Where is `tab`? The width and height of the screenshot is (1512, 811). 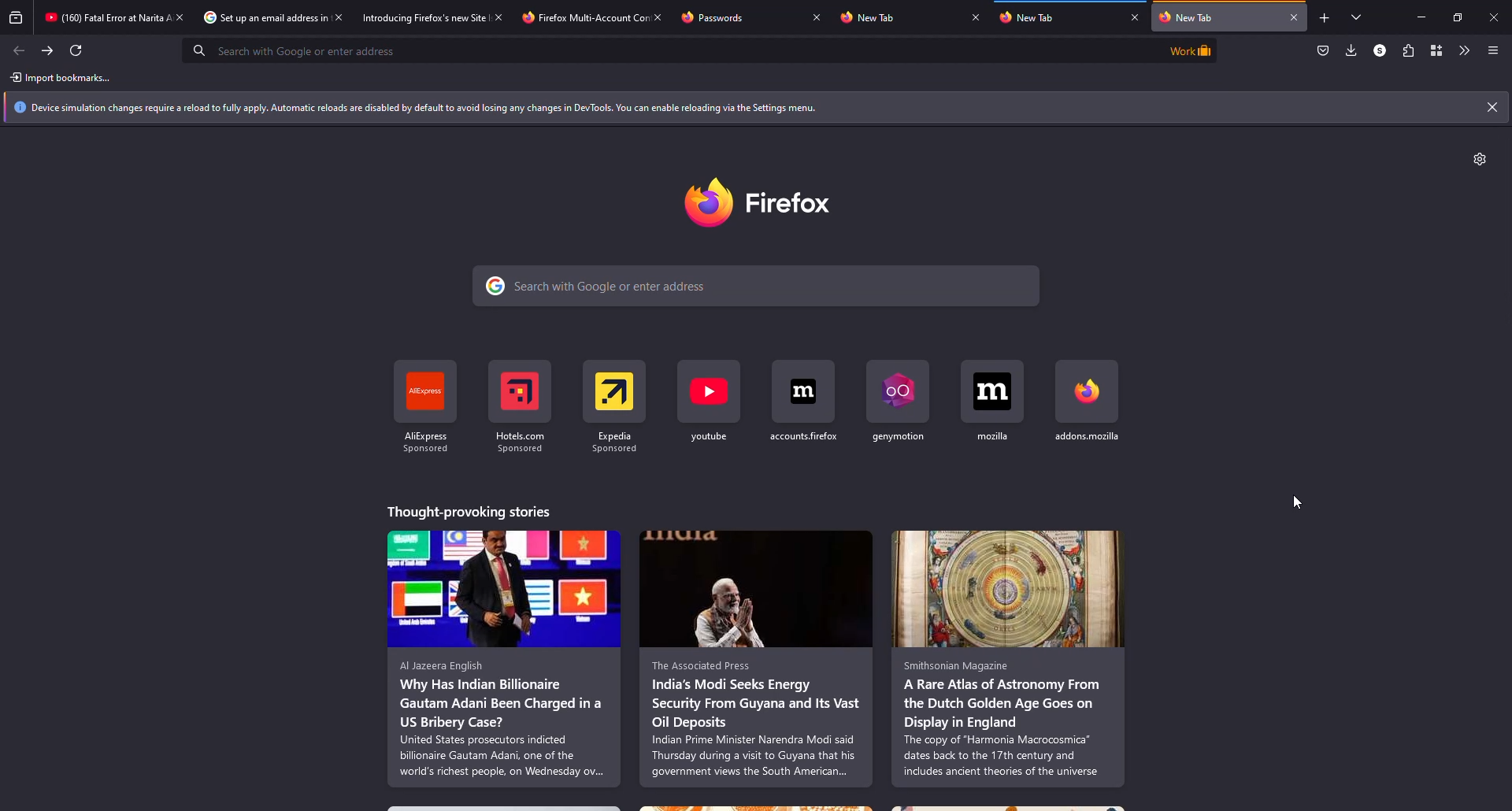
tab is located at coordinates (102, 17).